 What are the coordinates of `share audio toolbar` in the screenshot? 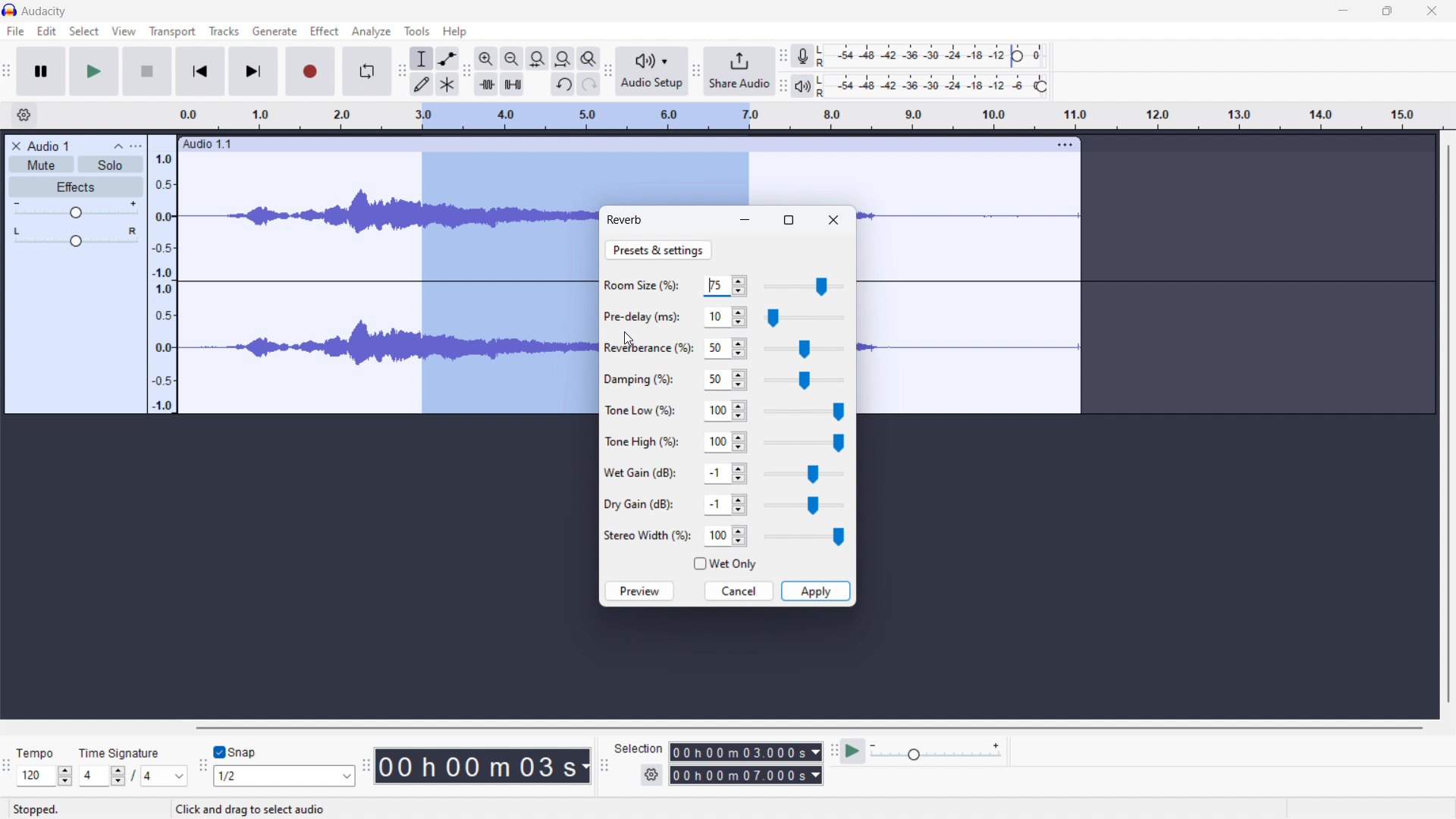 It's located at (696, 73).